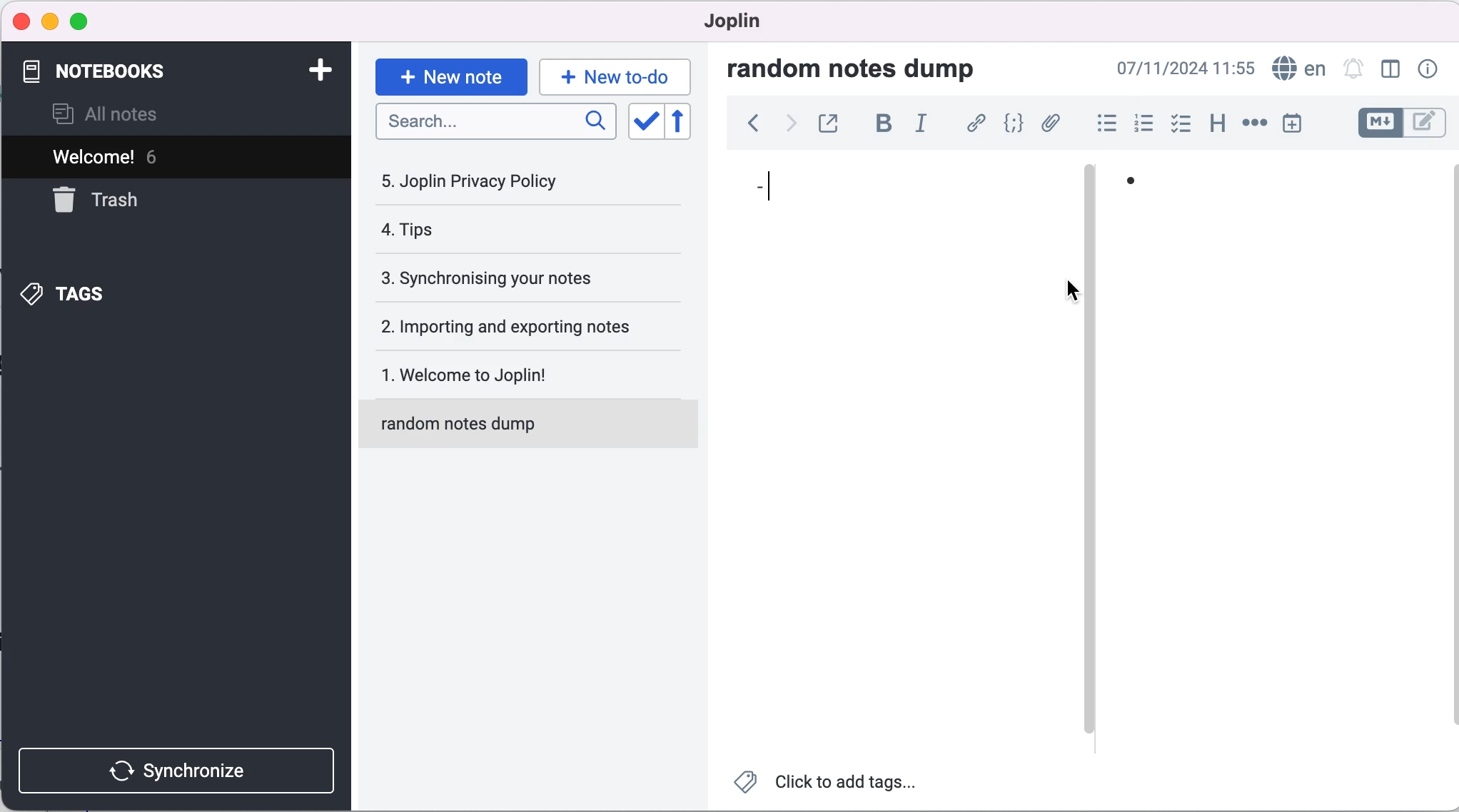  I want to click on note properties, so click(1426, 70).